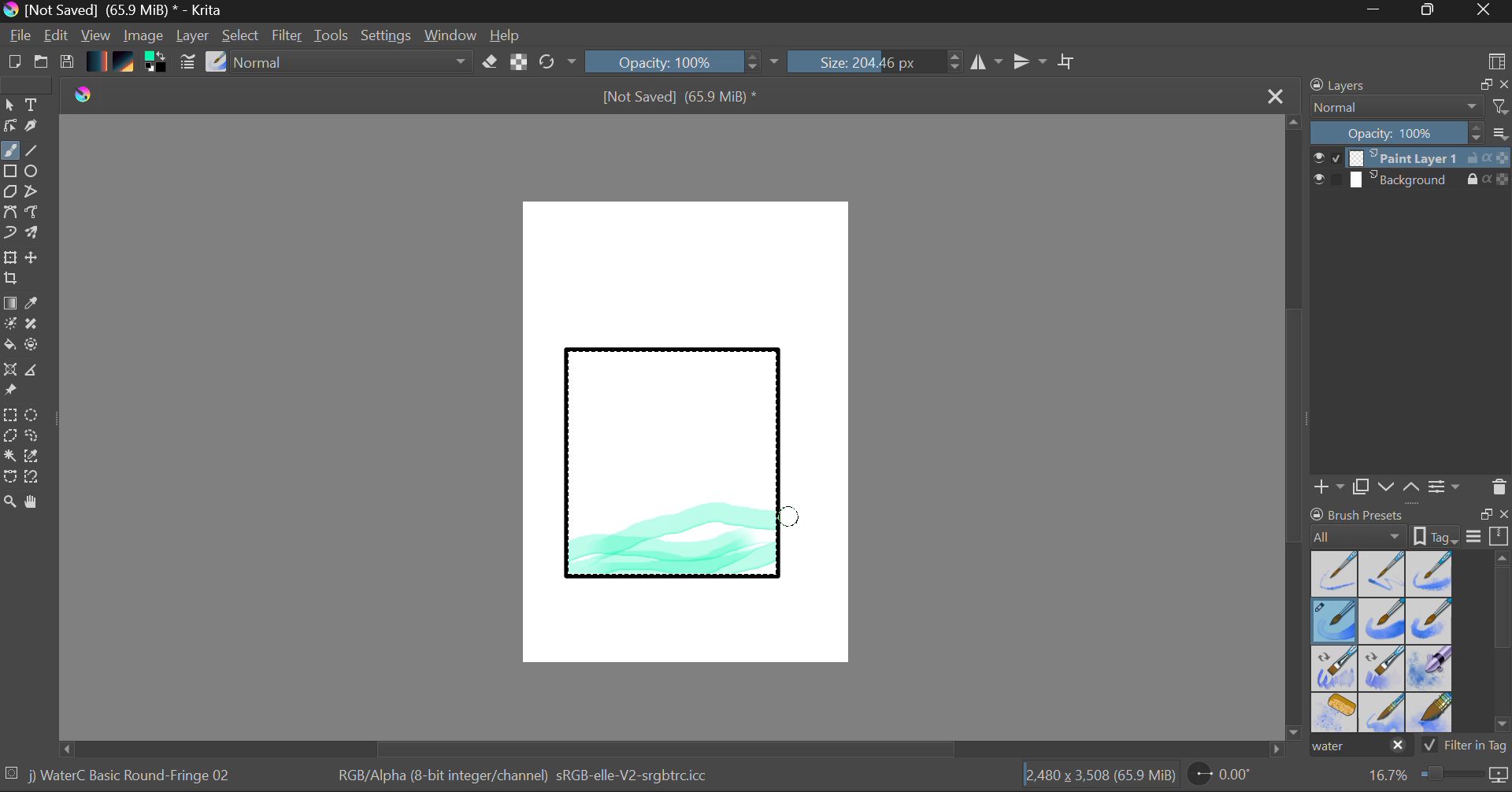 The image size is (1512, 792). I want to click on Scroll Bar, so click(1503, 645).